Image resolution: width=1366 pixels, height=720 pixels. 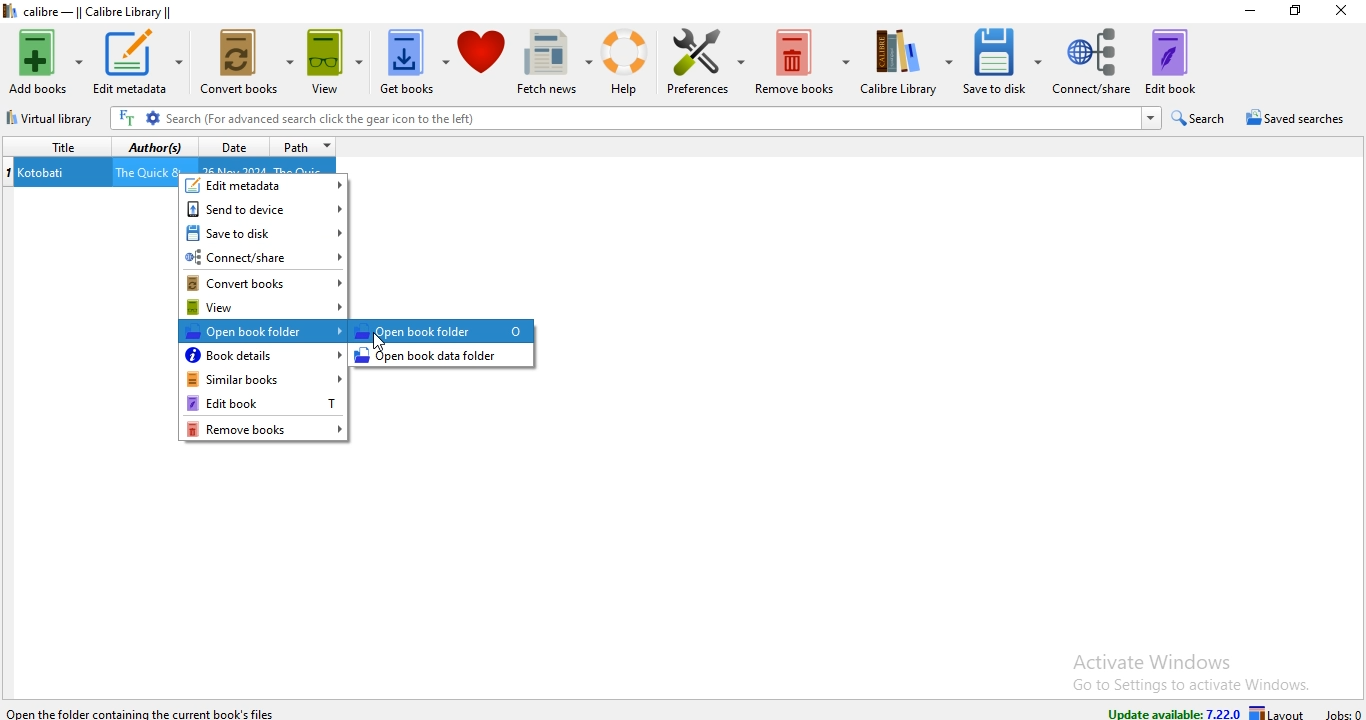 What do you see at coordinates (245, 65) in the screenshot?
I see `convert books` at bounding box center [245, 65].